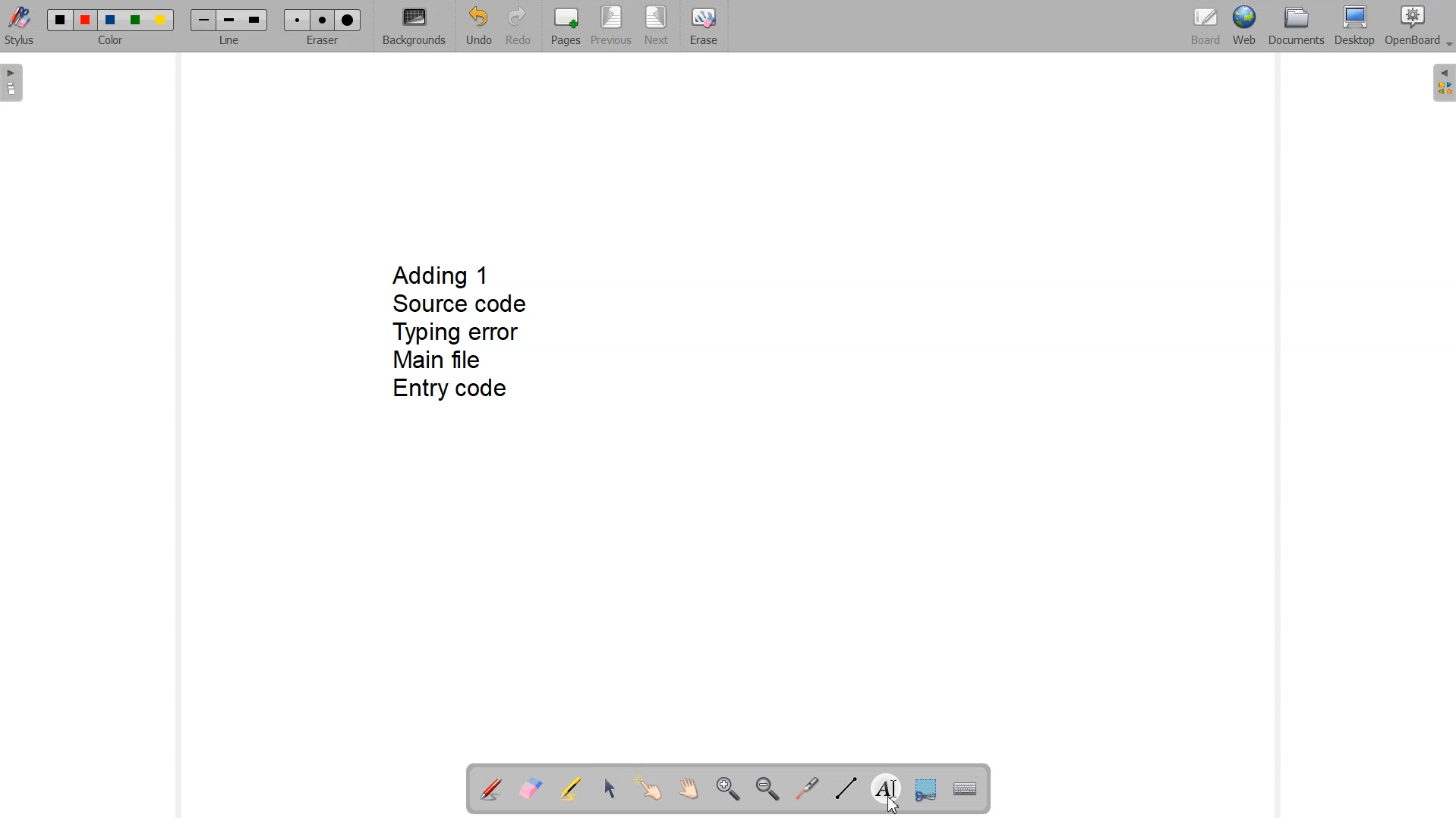 The width and height of the screenshot is (1456, 818). What do you see at coordinates (204, 20) in the screenshot?
I see `Small line` at bounding box center [204, 20].